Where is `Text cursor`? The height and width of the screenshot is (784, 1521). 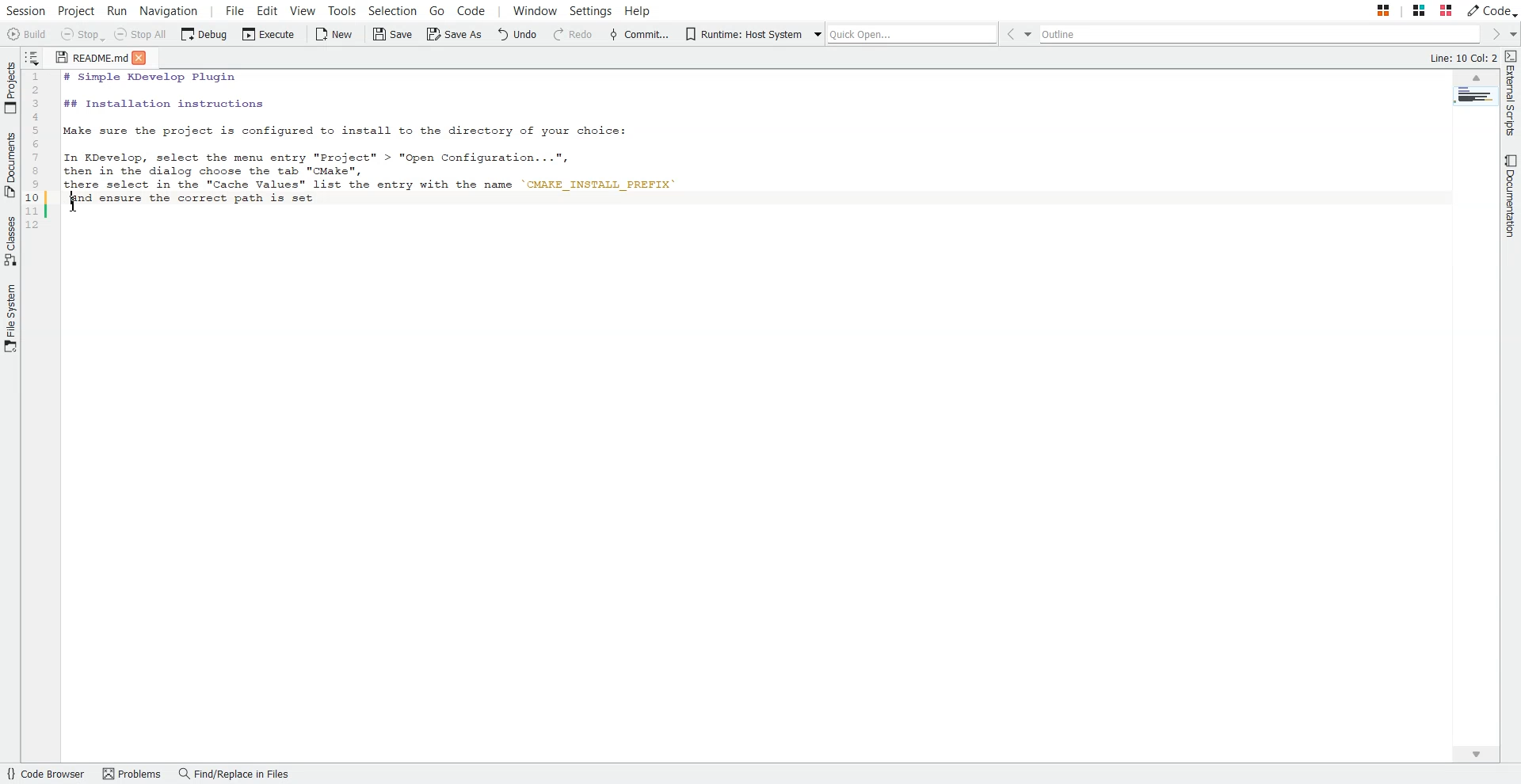 Text cursor is located at coordinates (71, 194).